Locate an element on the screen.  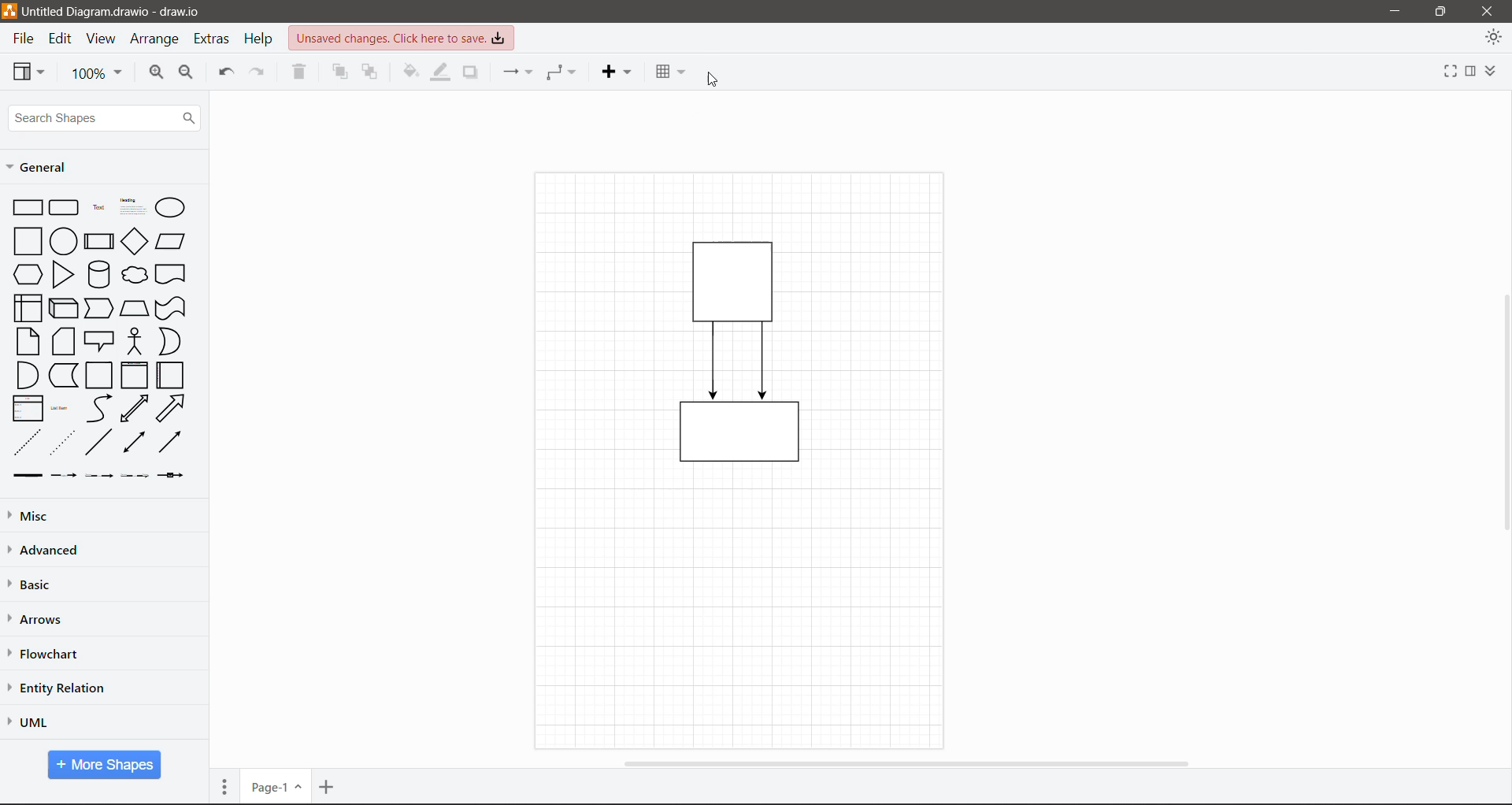
Directional Connector is located at coordinates (714, 362).